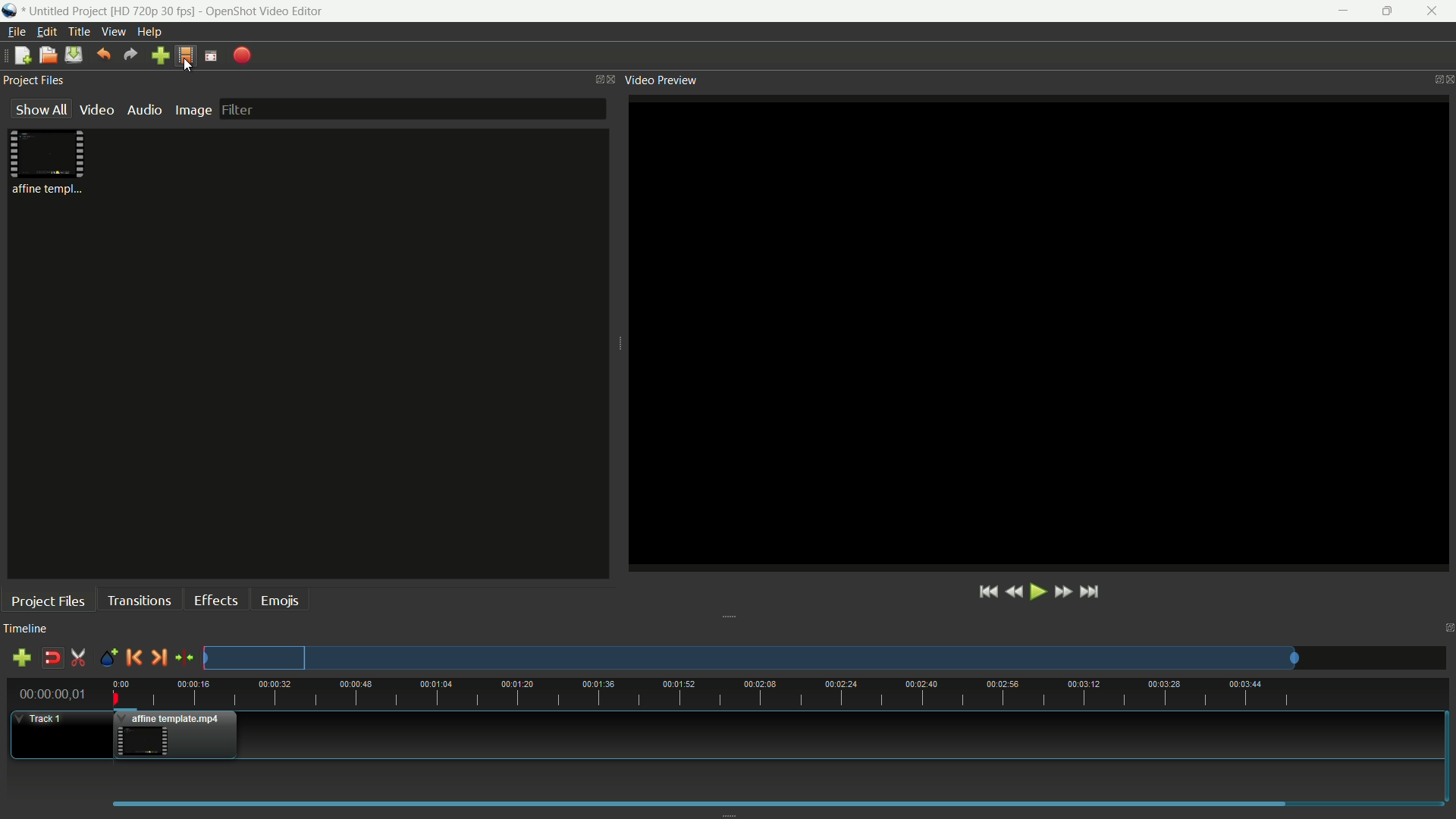  I want to click on previous marker, so click(133, 657).